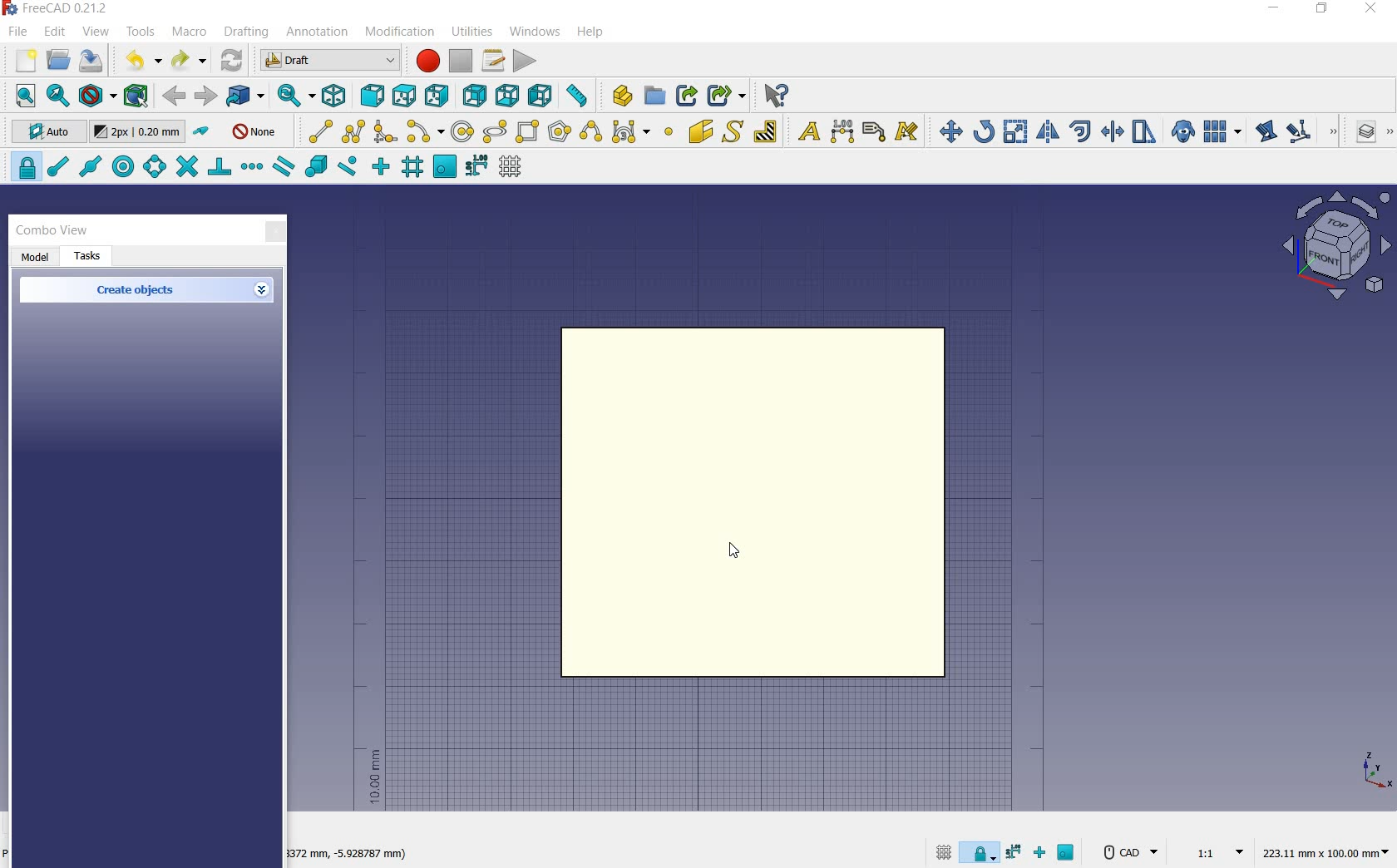 This screenshot has width=1397, height=868. What do you see at coordinates (318, 33) in the screenshot?
I see `annotation` at bounding box center [318, 33].